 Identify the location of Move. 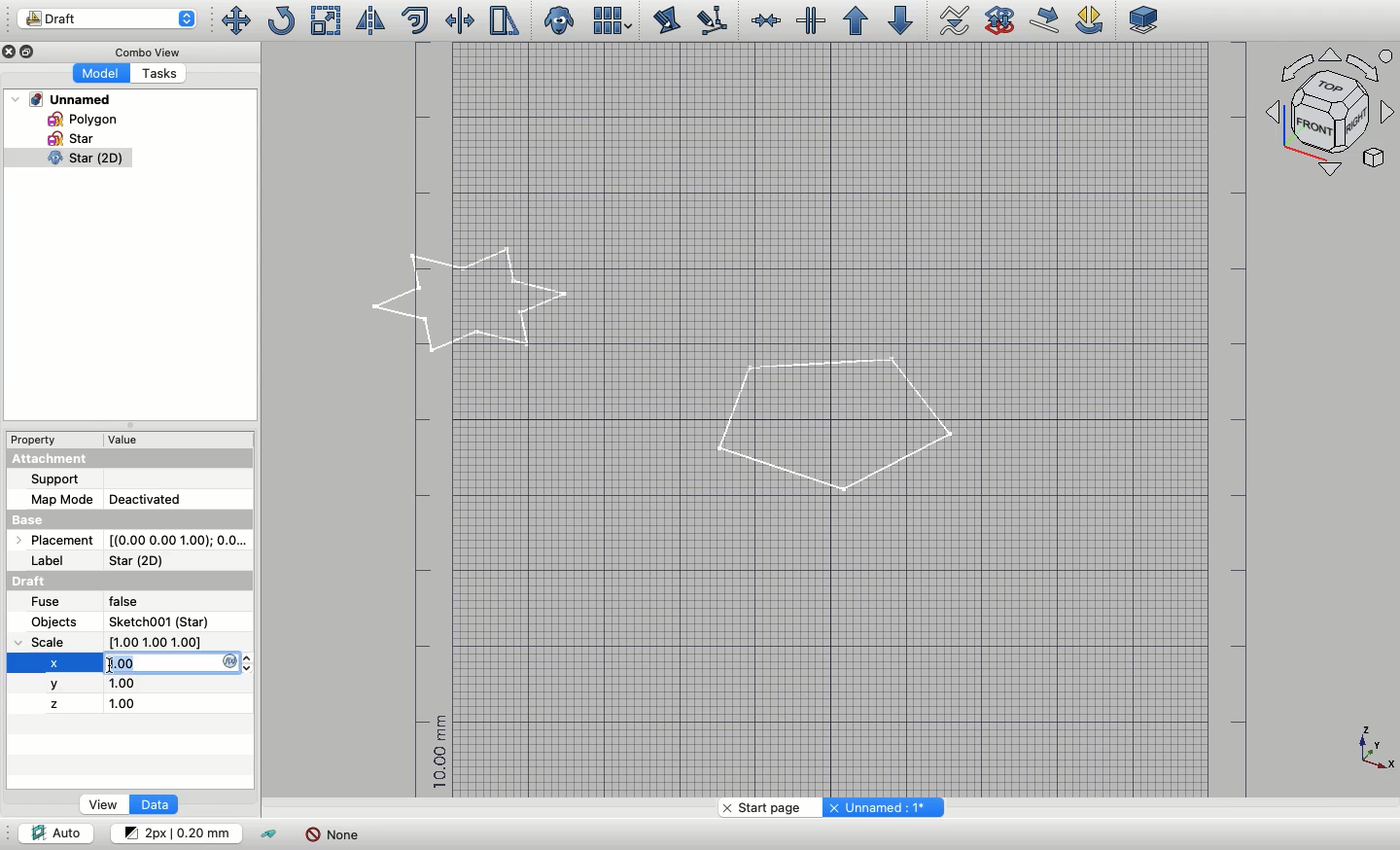
(234, 20).